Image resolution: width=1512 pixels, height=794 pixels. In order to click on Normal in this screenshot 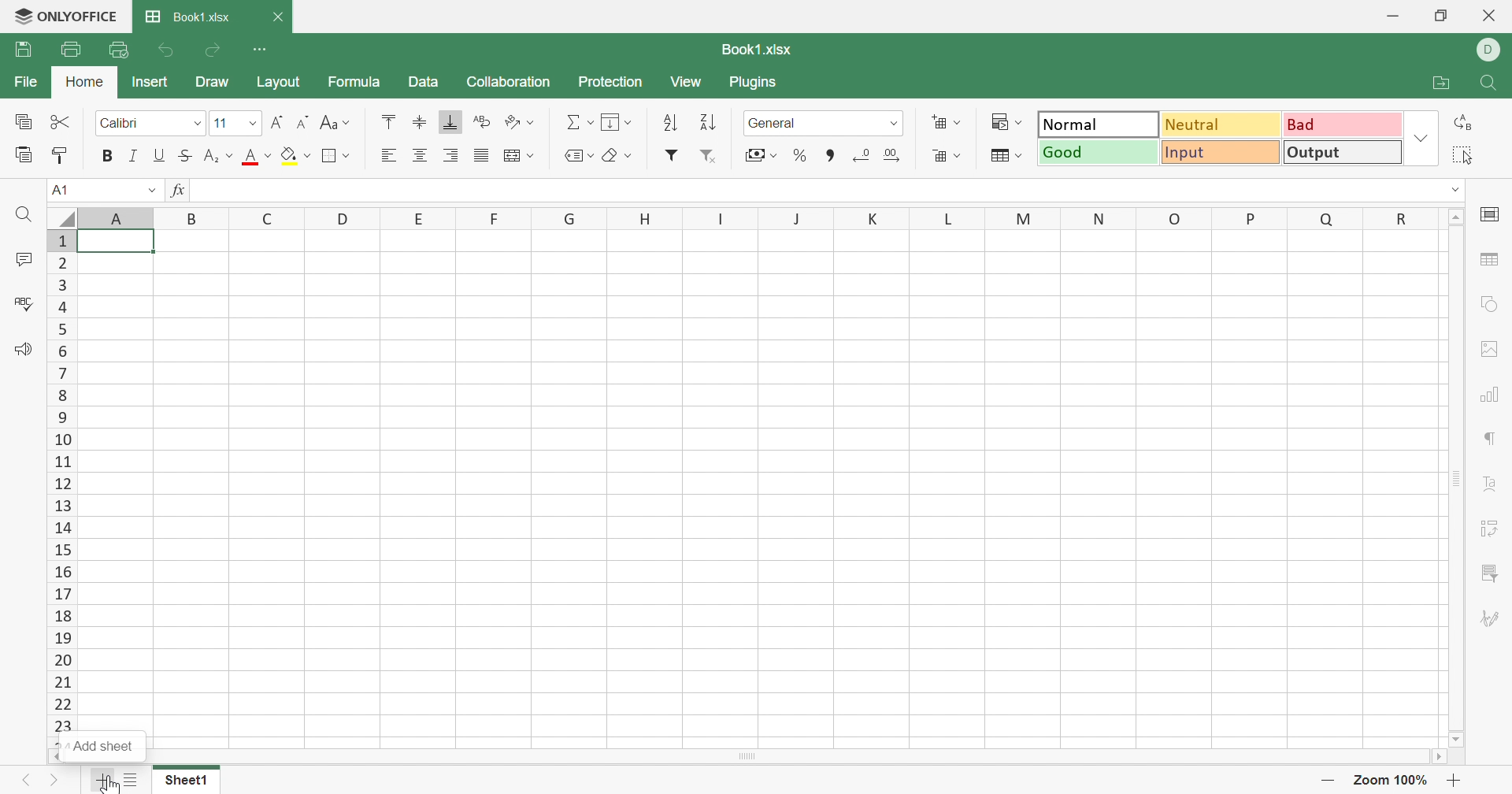, I will do `click(1097, 124)`.